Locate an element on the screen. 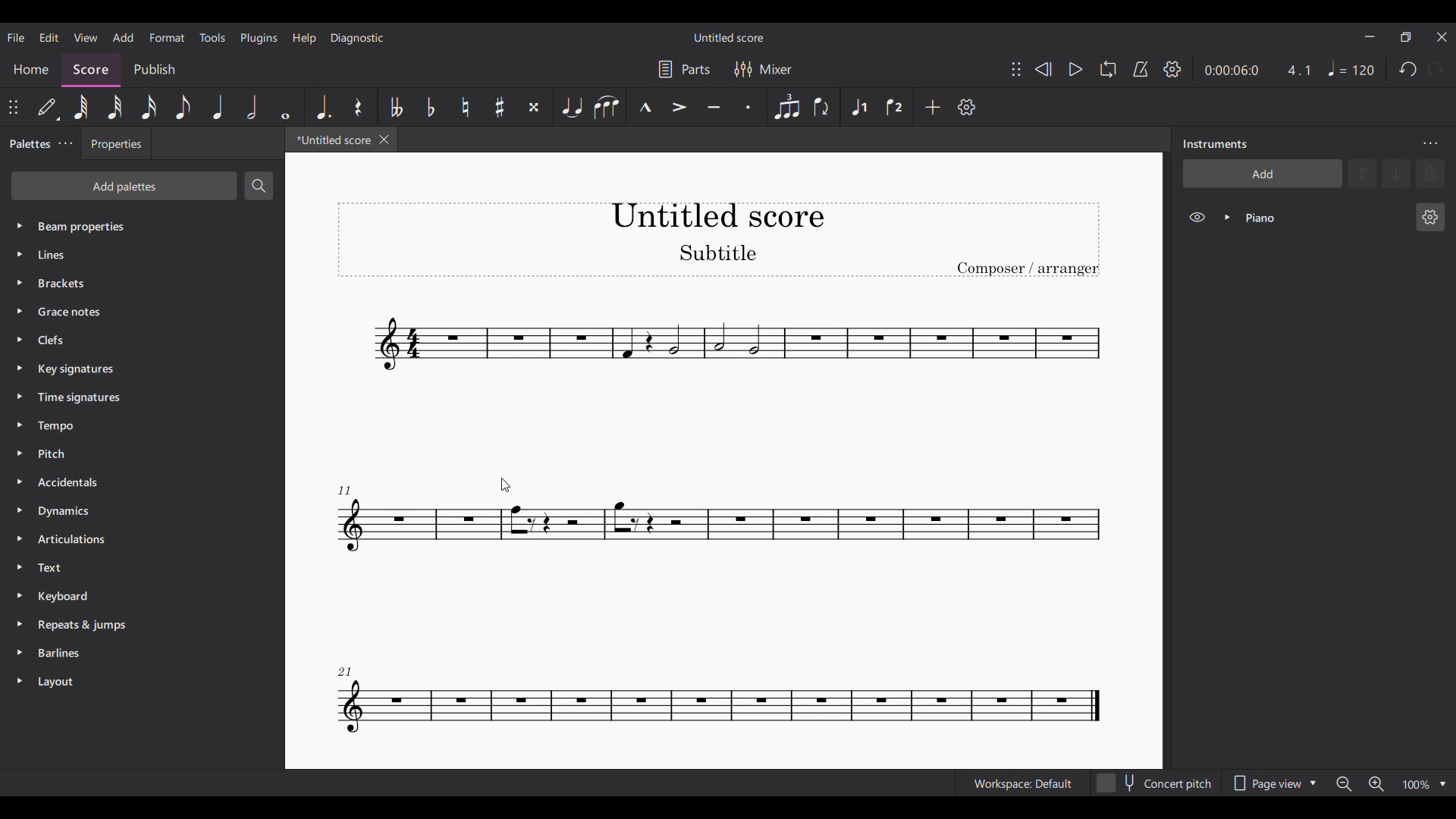 This screenshot has height=819, width=1456. Show in smaller tab is located at coordinates (1405, 36).